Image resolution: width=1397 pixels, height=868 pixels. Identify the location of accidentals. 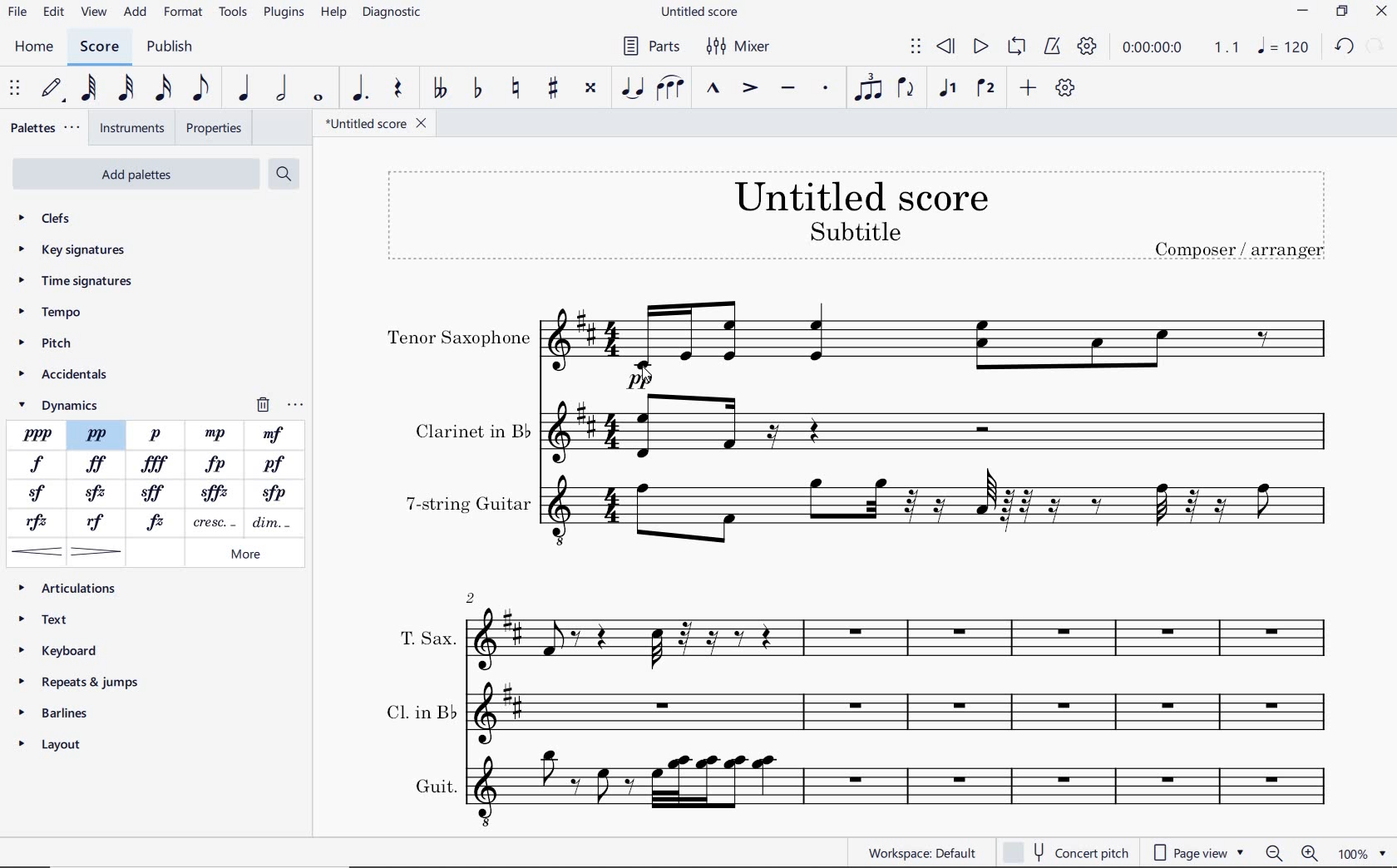
(68, 377).